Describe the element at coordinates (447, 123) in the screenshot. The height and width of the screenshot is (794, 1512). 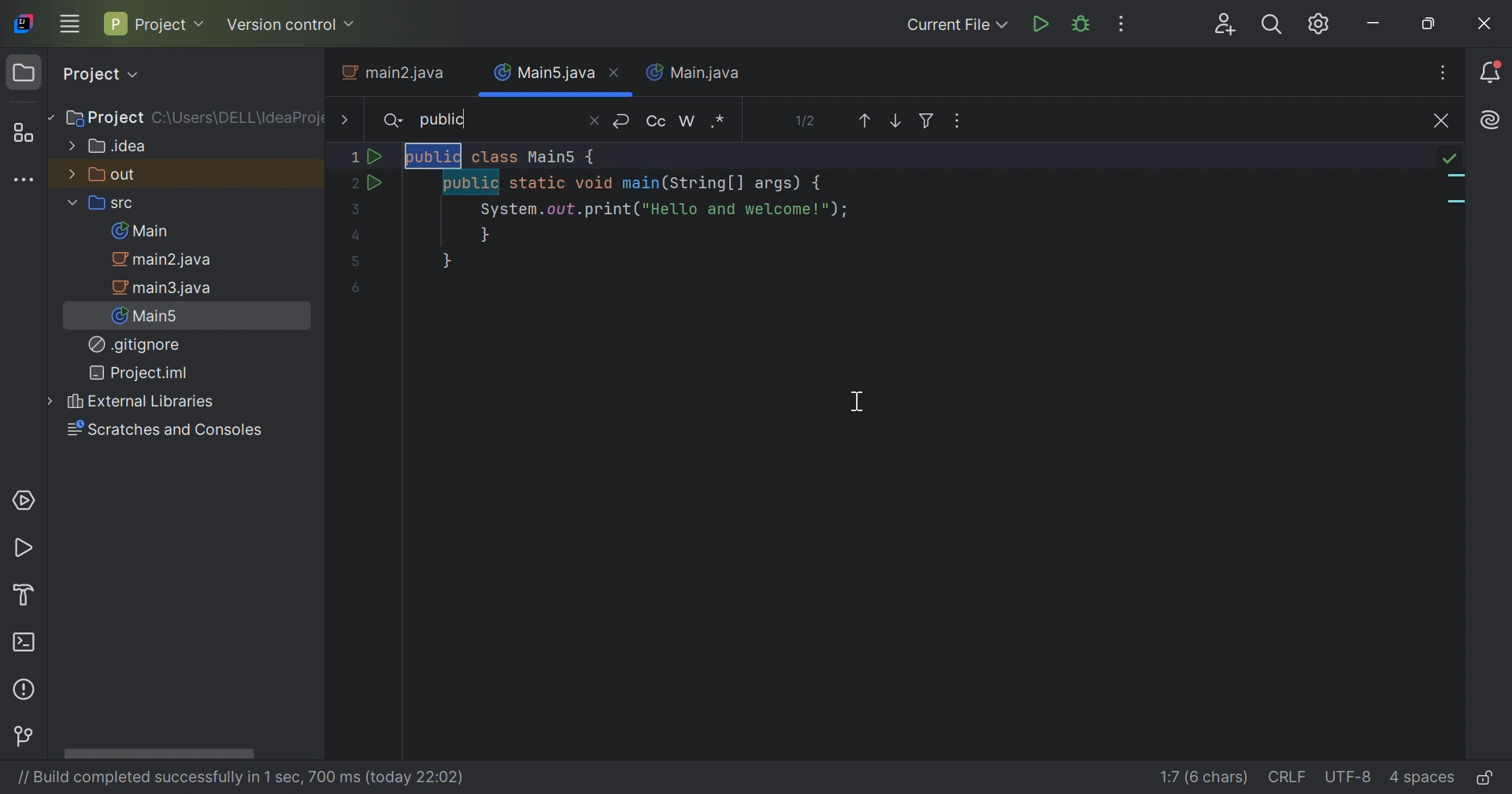
I see `public` at that location.